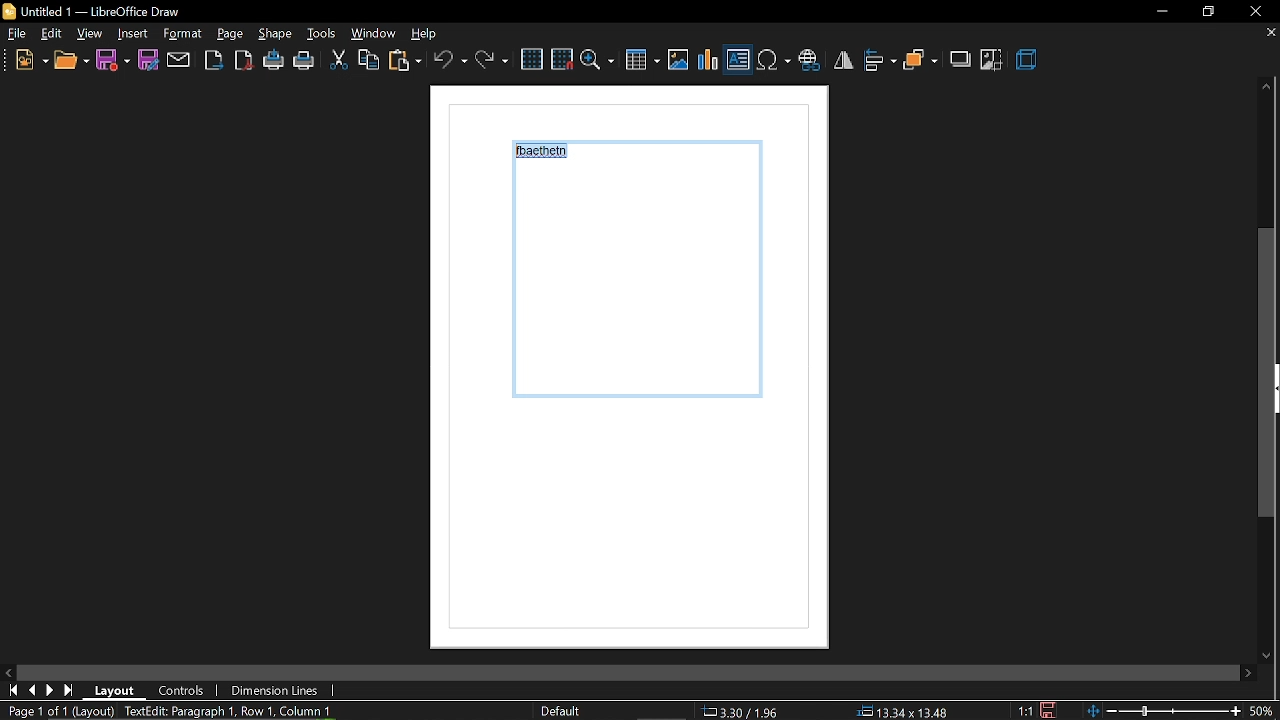 Image resolution: width=1280 pixels, height=720 pixels. I want to click on insert, so click(185, 34).